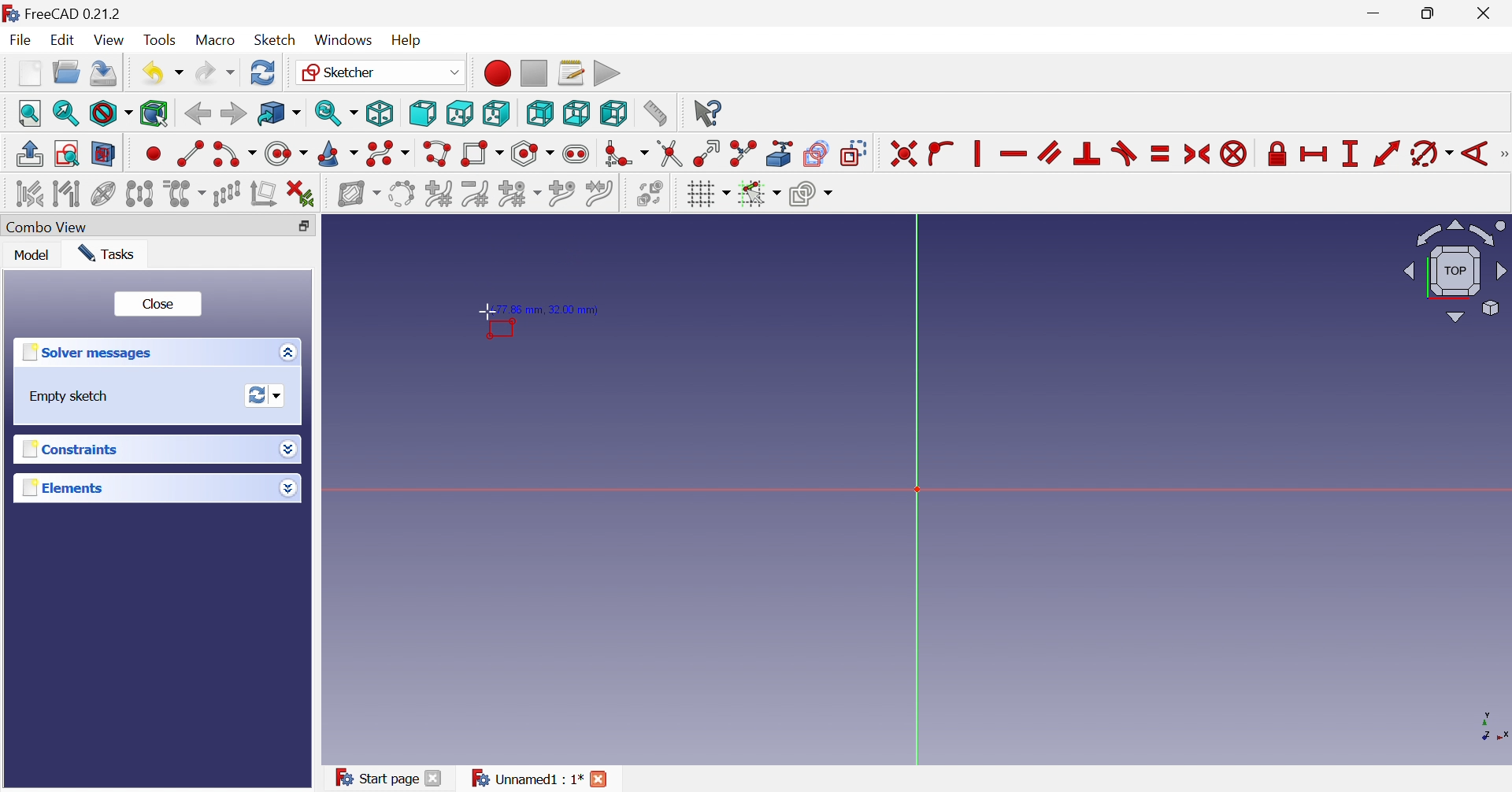 The height and width of the screenshot is (792, 1512). I want to click on Constrain block, so click(1233, 154).